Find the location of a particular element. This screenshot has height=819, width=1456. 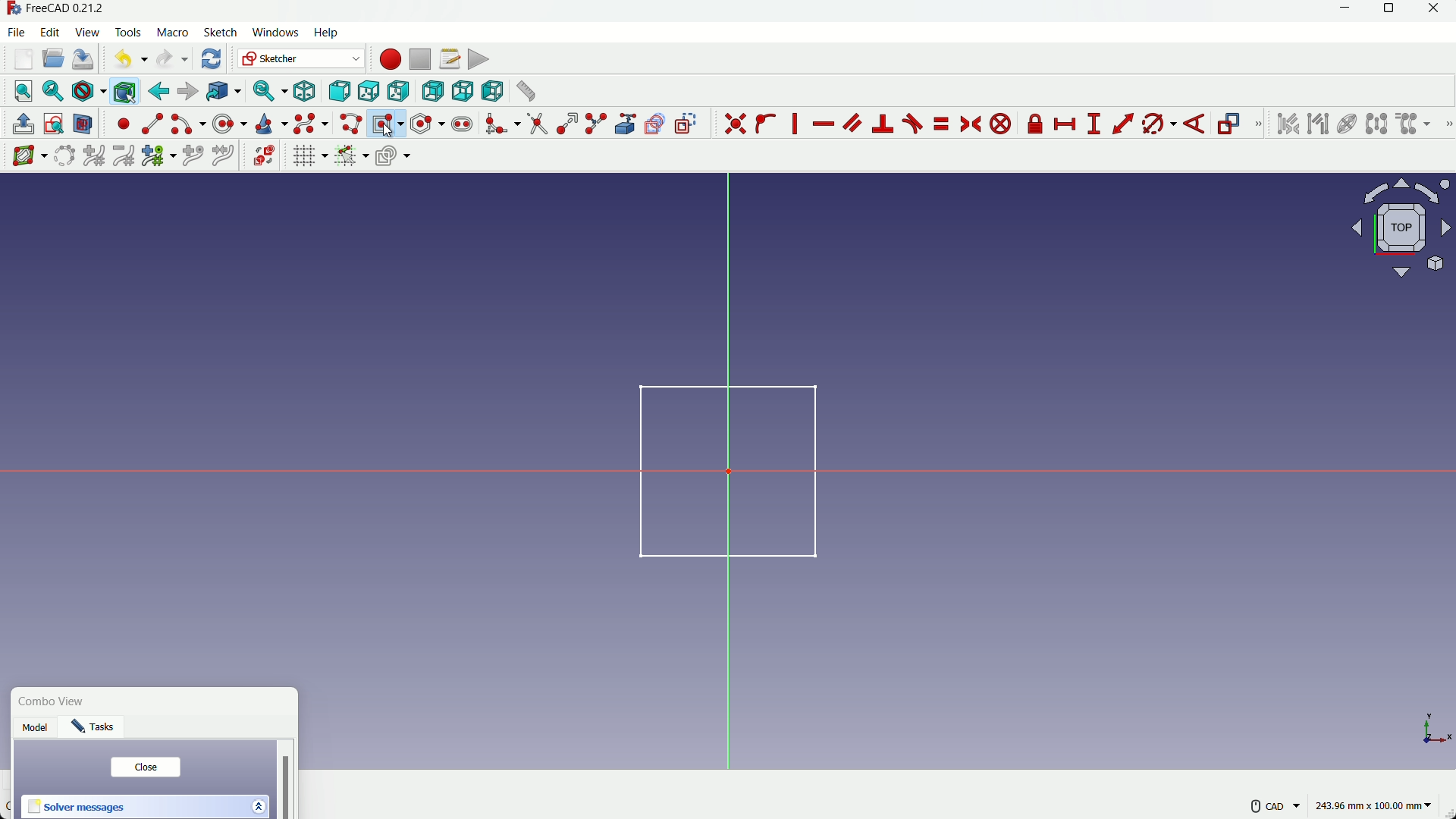

select associated geometry is located at coordinates (1318, 125).